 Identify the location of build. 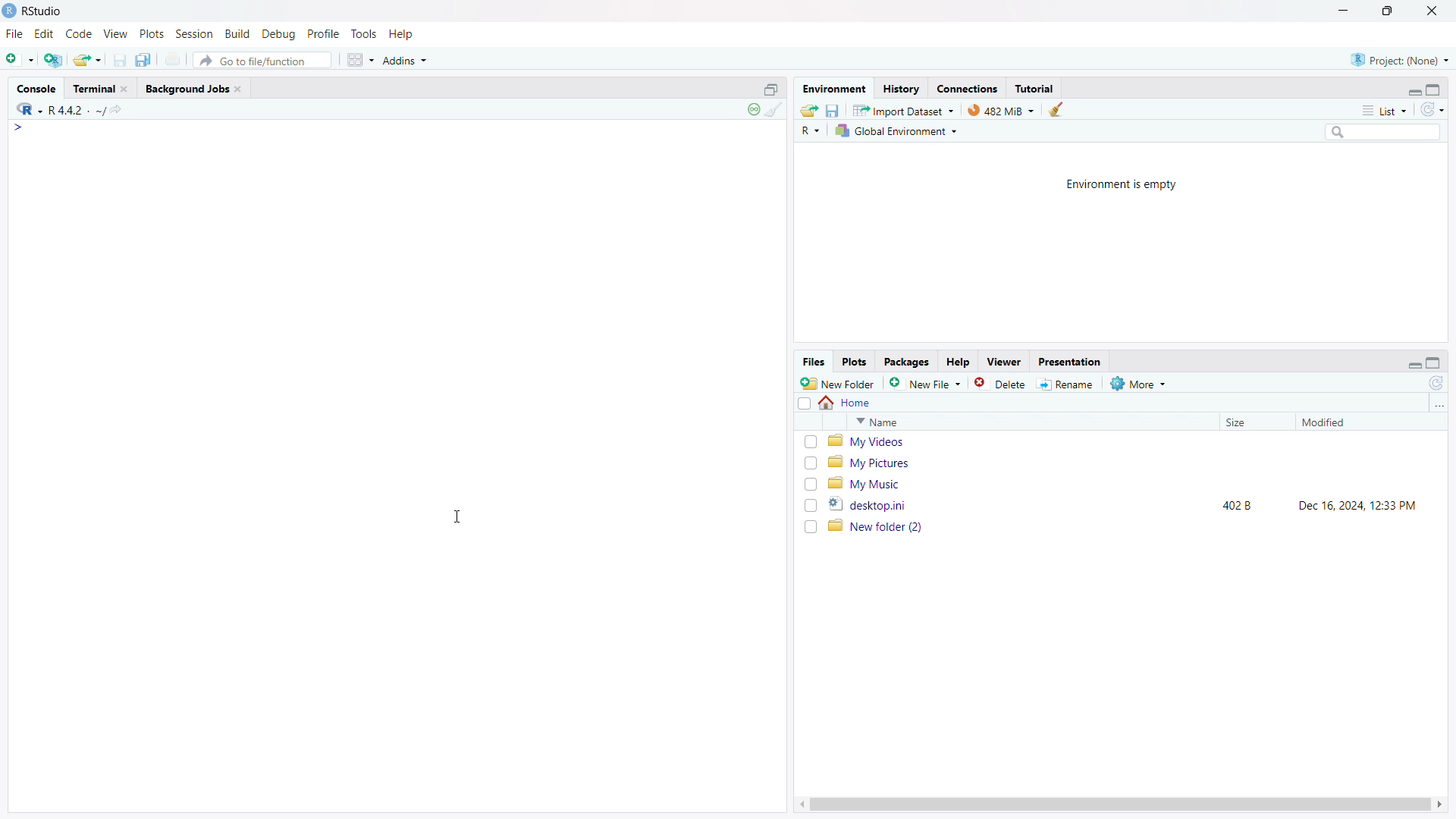
(239, 33).